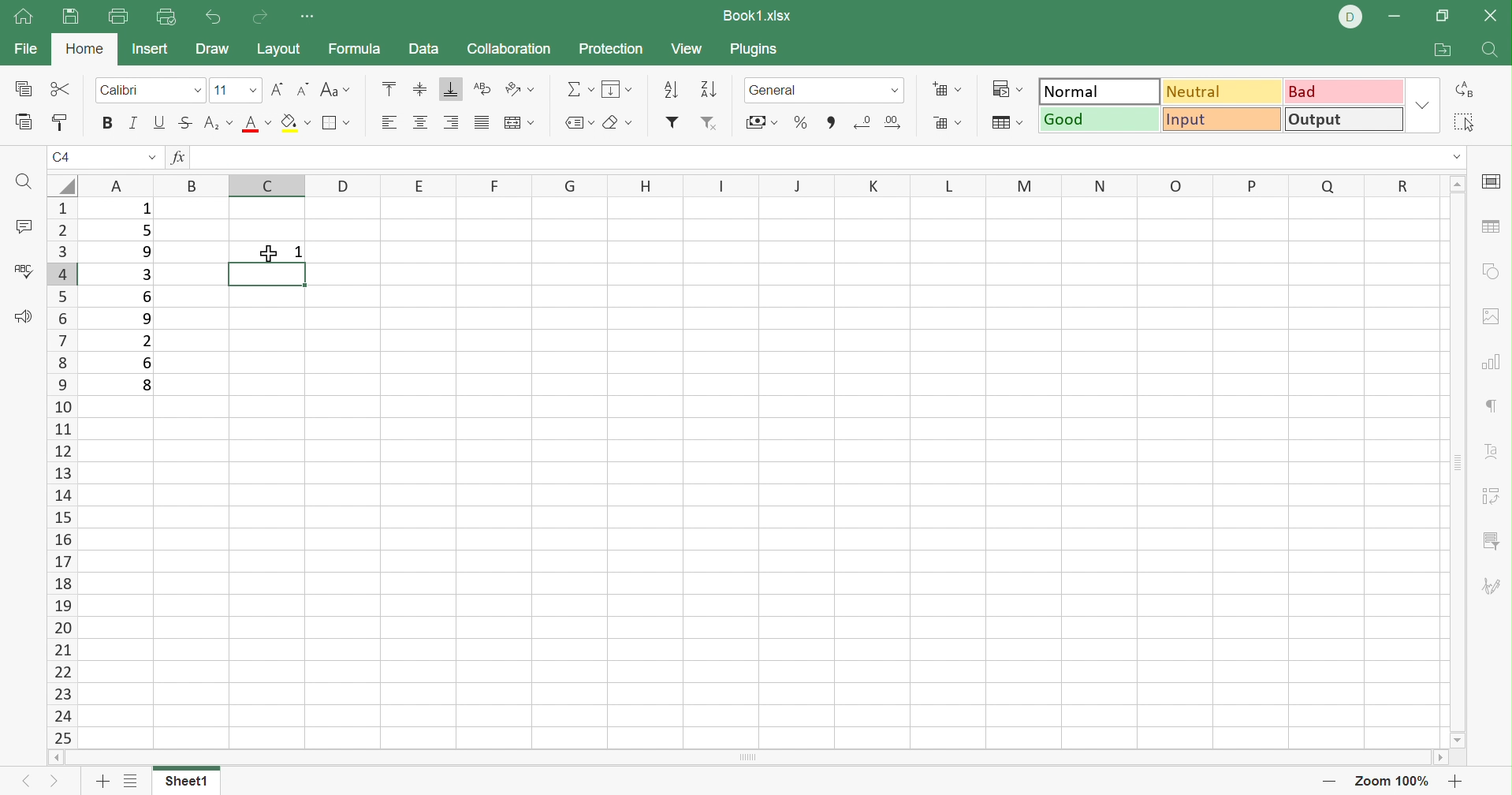  Describe the element at coordinates (762, 121) in the screenshot. I see `Accounting style` at that location.